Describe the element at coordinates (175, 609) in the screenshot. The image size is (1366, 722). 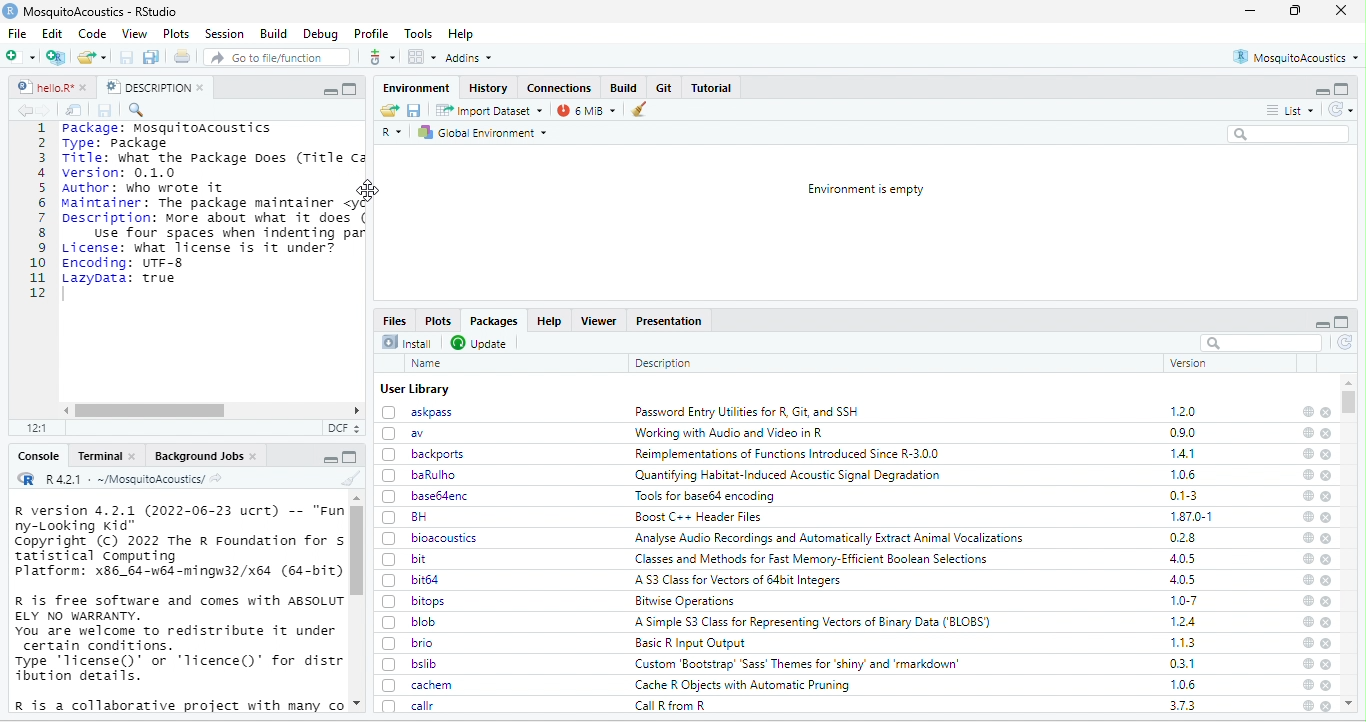
I see `R version 4.2.1 (2022-06-23 ucrt) -- "Fun
ny-Looking Kid"

Copyright (c) 2022 The R Foundation for s
tatistical Computing

Platform: x86_64-w6d-mingw32/x64 (64-bit)
R is free software and comes with ABSOLUT
ELY NO WARRANTY.

You are welcome to redistribute it under

certain conditions.

Type ‘license()' or ‘licence()' for distr
bution details.

R is a collaborative project with many co` at that location.